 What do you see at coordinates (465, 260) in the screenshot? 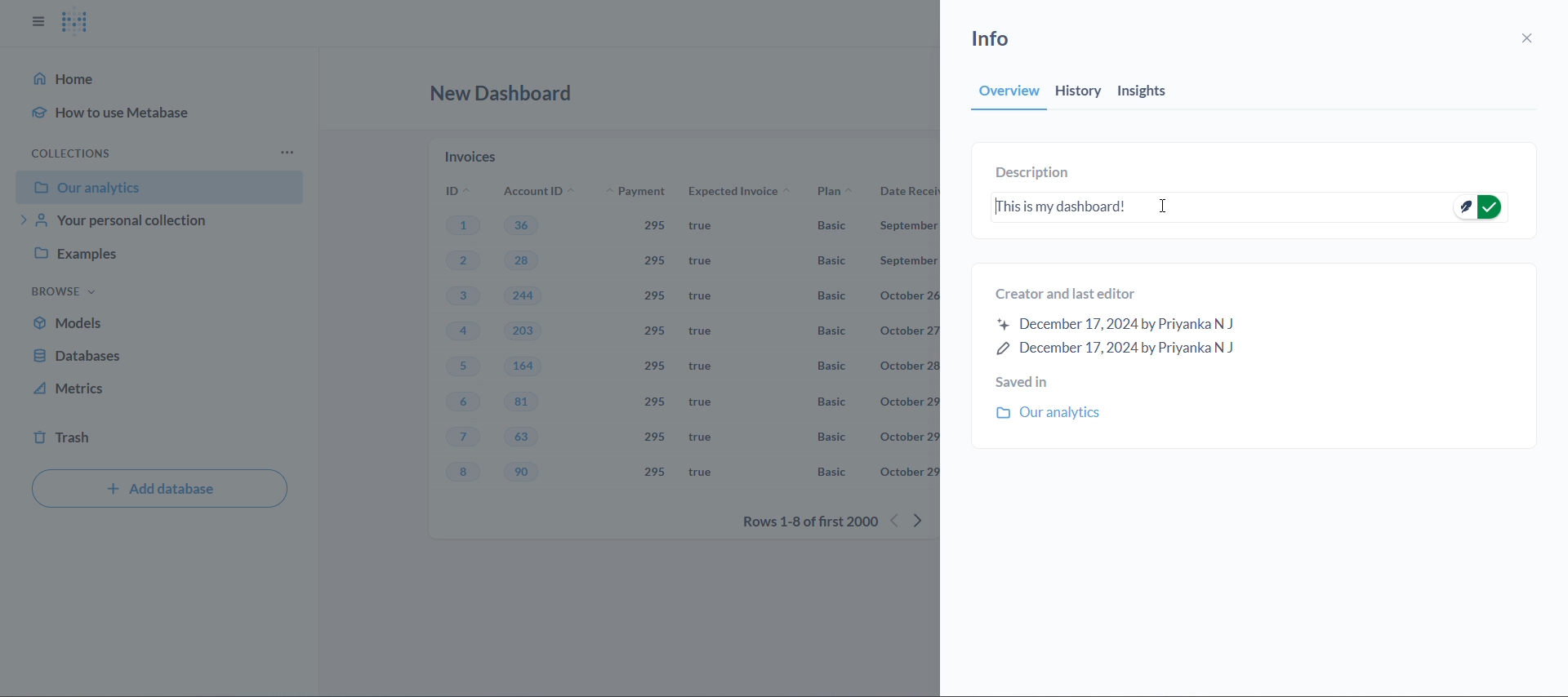
I see `2` at bounding box center [465, 260].